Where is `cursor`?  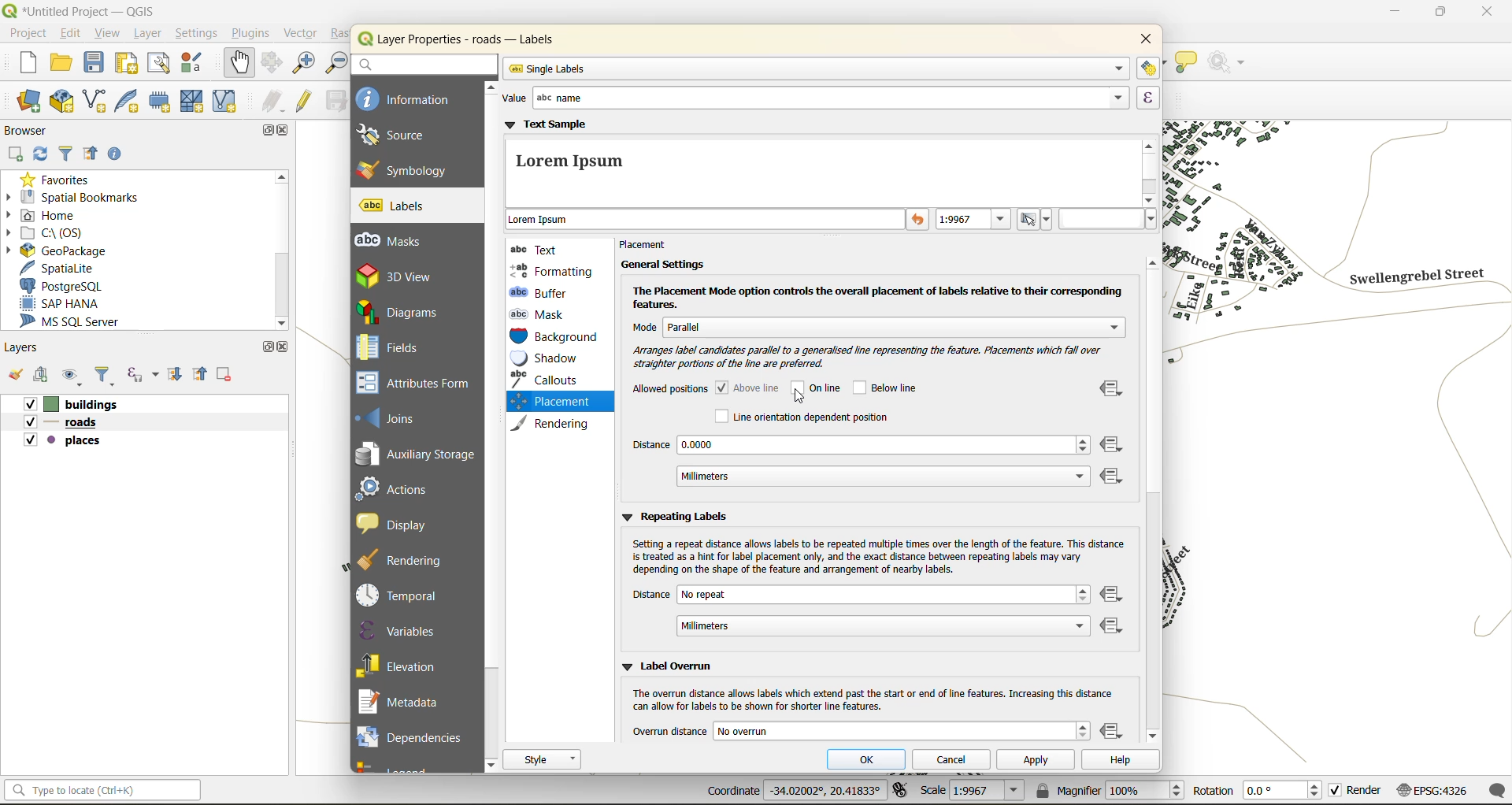 cursor is located at coordinates (797, 399).